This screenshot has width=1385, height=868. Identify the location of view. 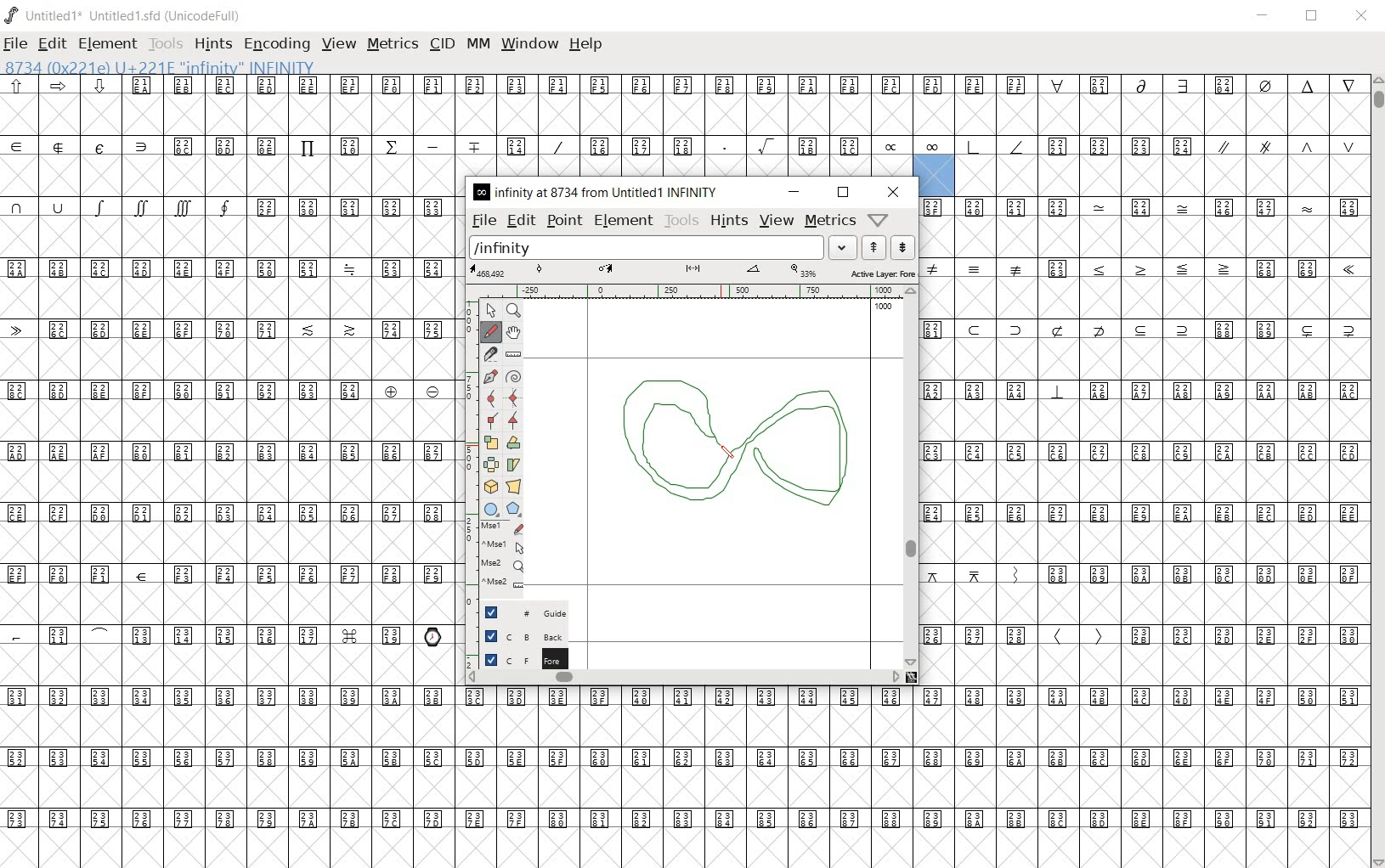
(341, 43).